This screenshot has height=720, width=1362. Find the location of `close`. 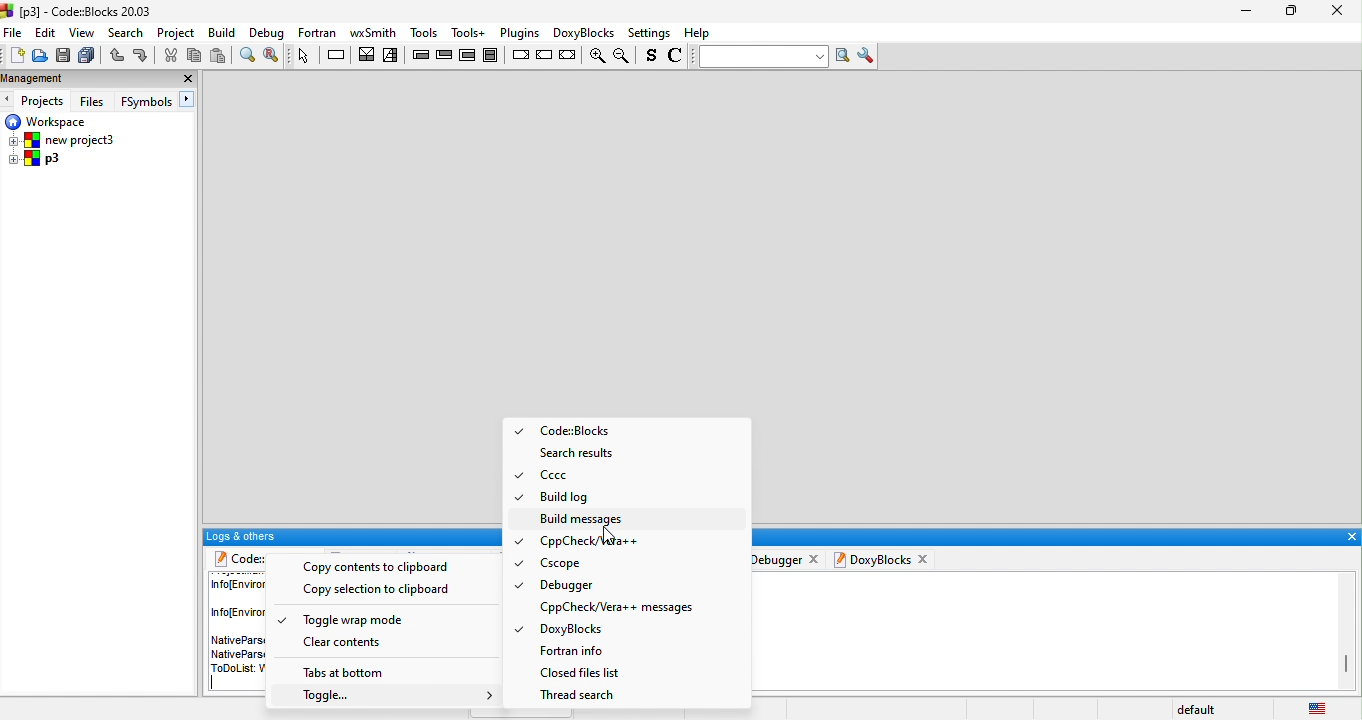

close is located at coordinates (926, 559).